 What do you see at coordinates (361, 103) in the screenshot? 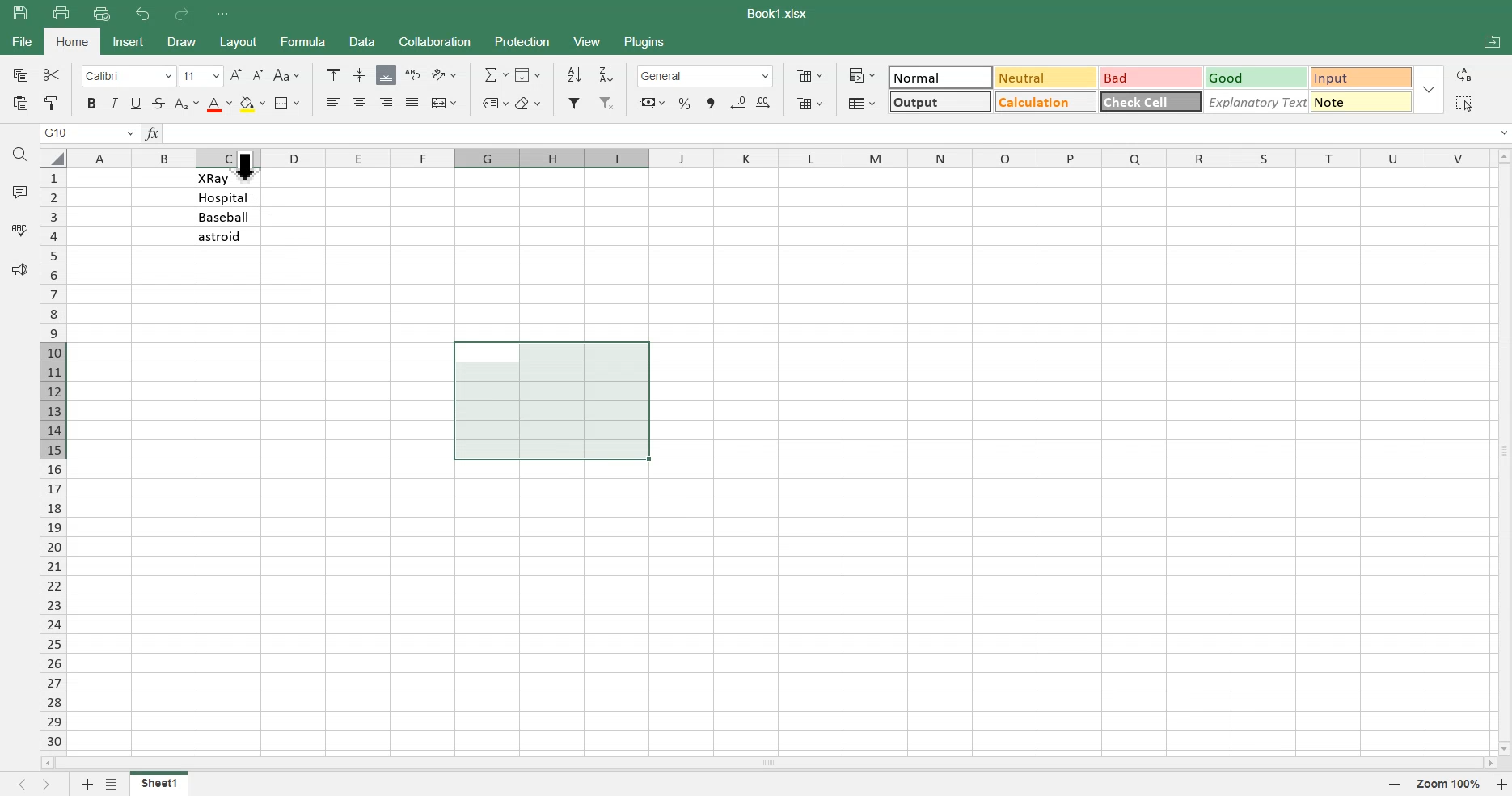
I see `Align Center` at bounding box center [361, 103].